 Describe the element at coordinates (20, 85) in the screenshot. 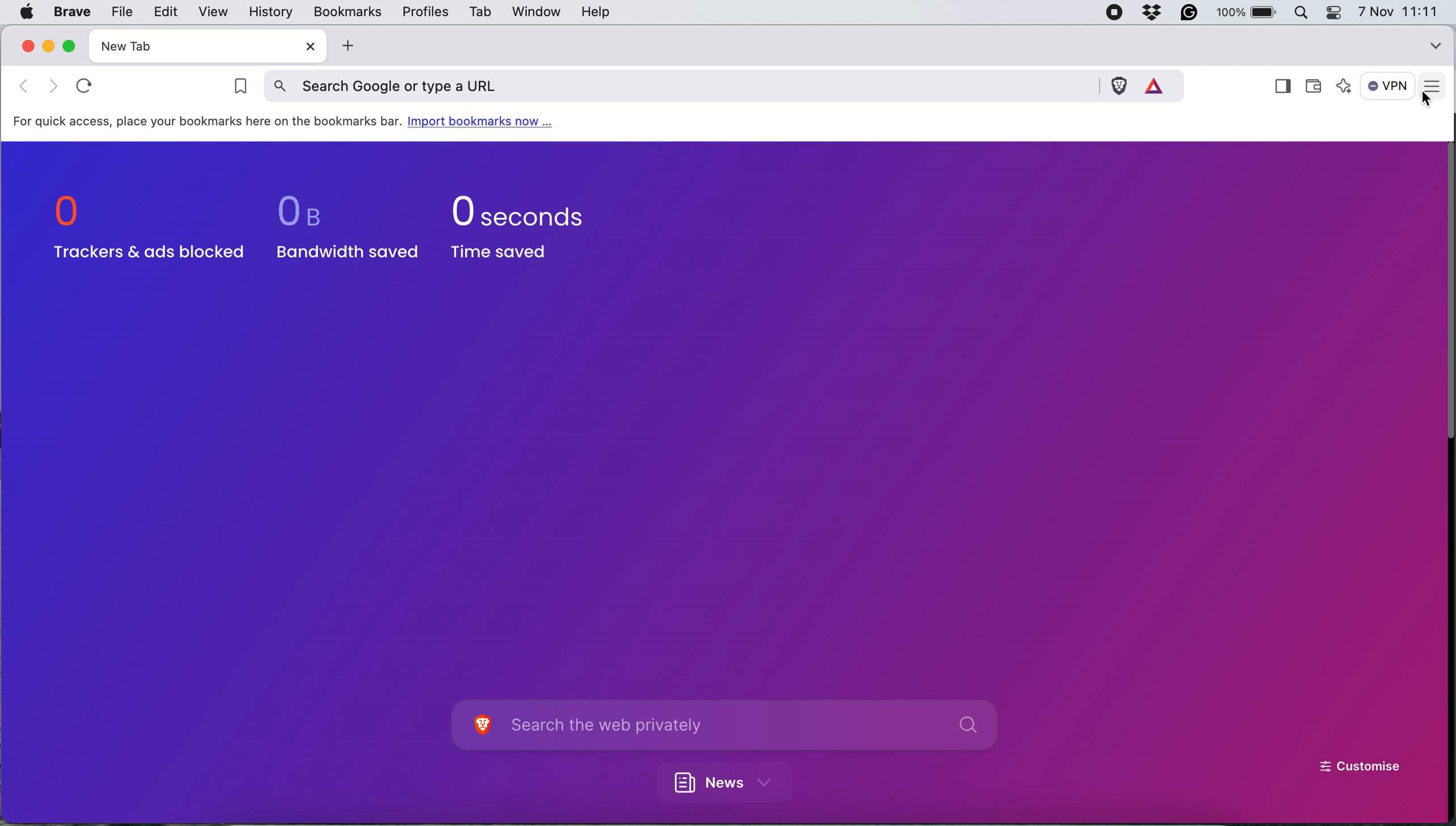

I see `click to go forward, hold to see history` at that location.